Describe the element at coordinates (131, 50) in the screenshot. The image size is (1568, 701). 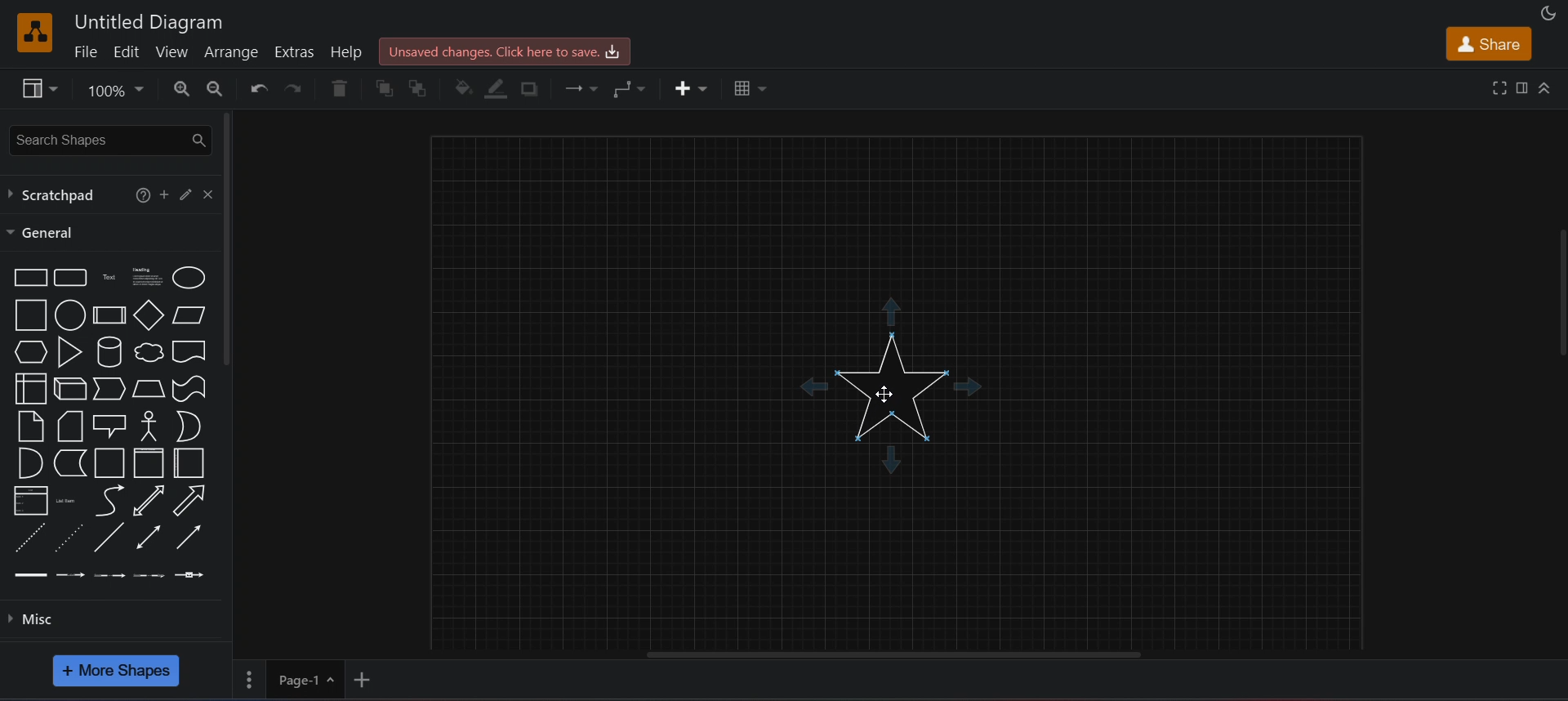
I see `edit` at that location.